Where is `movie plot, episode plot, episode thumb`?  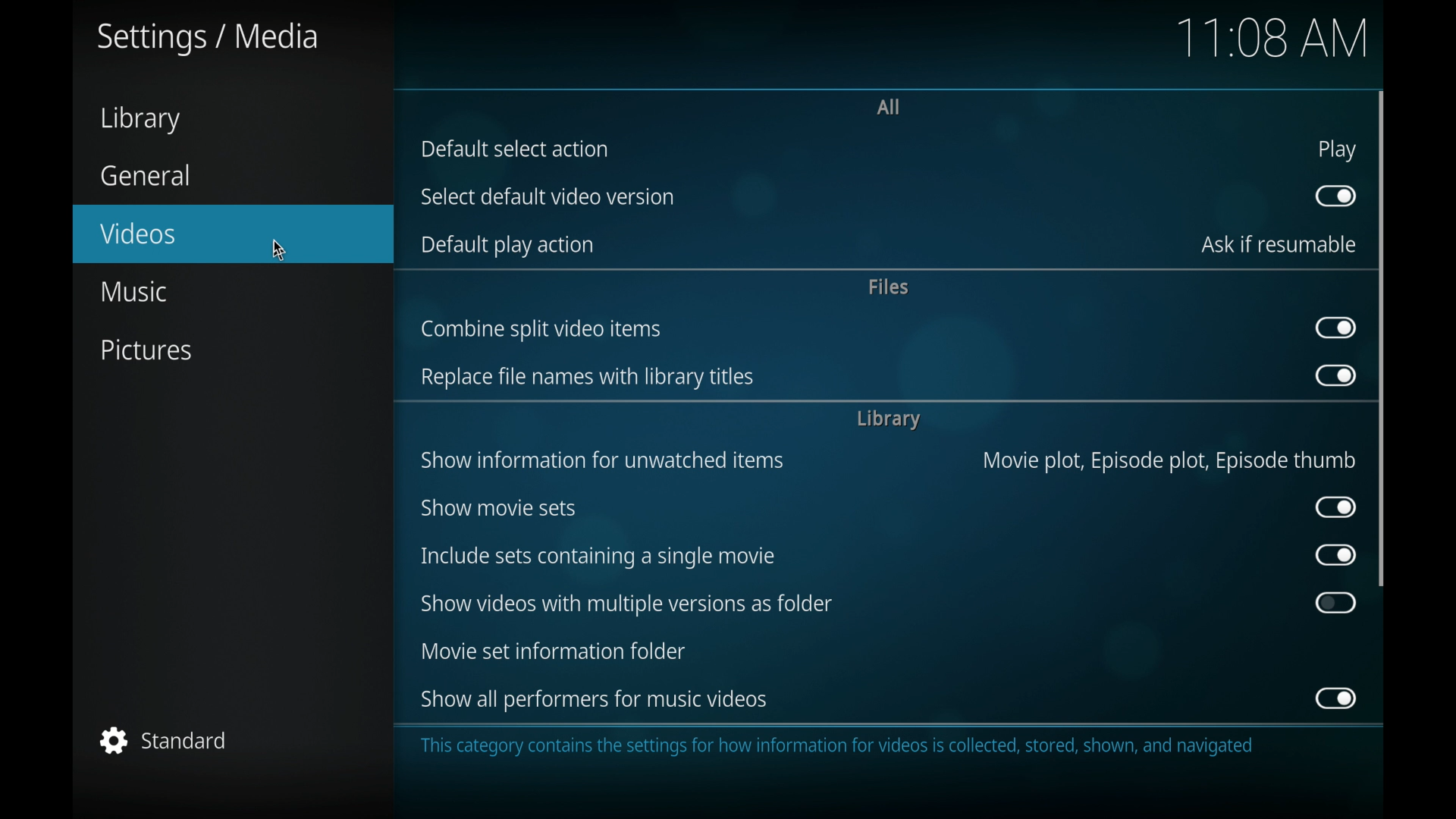
movie plot, episode plot, episode thumb is located at coordinates (1170, 460).